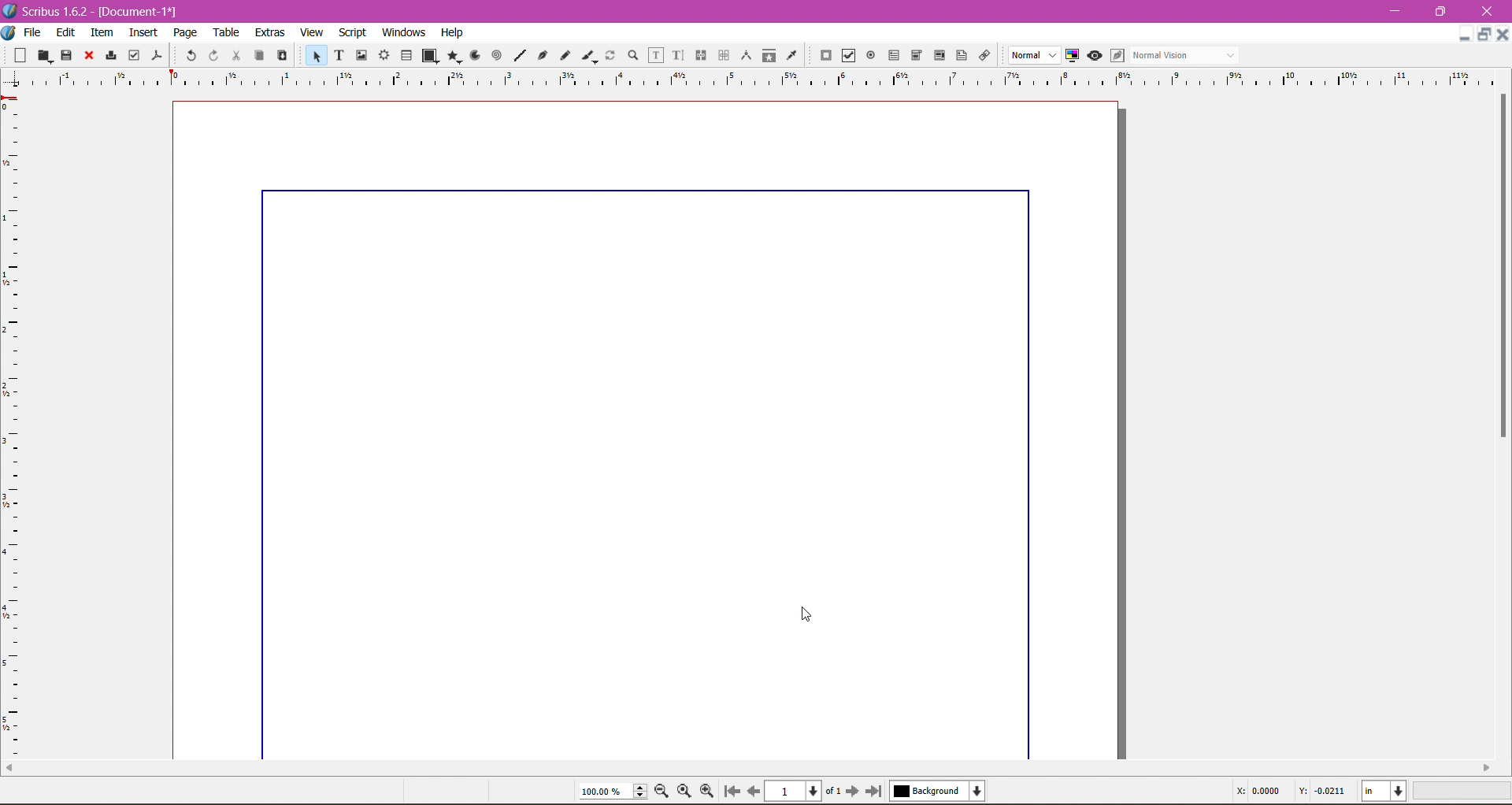 The image size is (1512, 805). Describe the element at coordinates (427, 56) in the screenshot. I see `Shape` at that location.